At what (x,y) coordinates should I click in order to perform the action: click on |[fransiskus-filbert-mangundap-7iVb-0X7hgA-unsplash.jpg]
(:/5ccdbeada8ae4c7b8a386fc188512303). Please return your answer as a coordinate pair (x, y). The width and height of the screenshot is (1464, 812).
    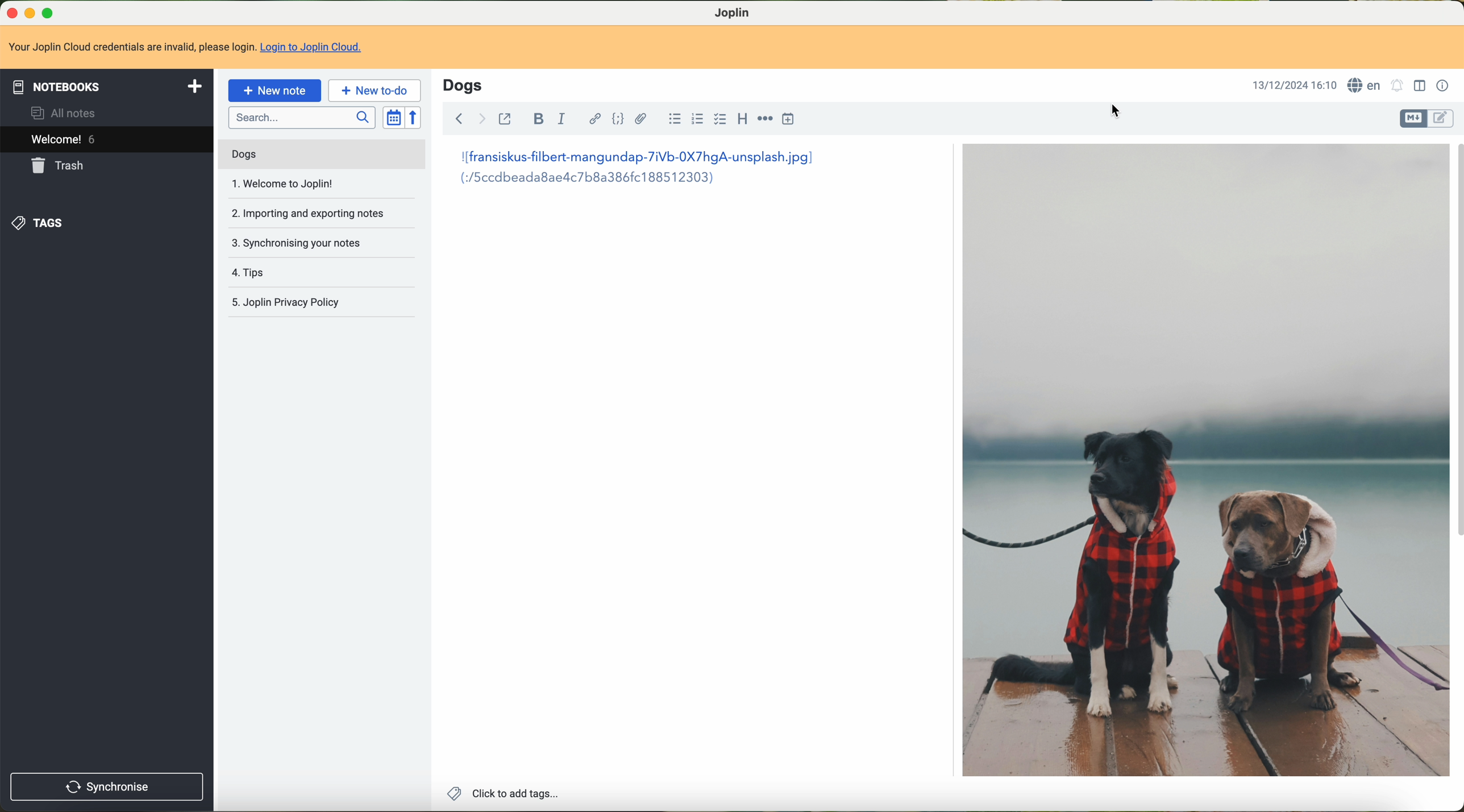
    Looking at the image, I should click on (627, 173).